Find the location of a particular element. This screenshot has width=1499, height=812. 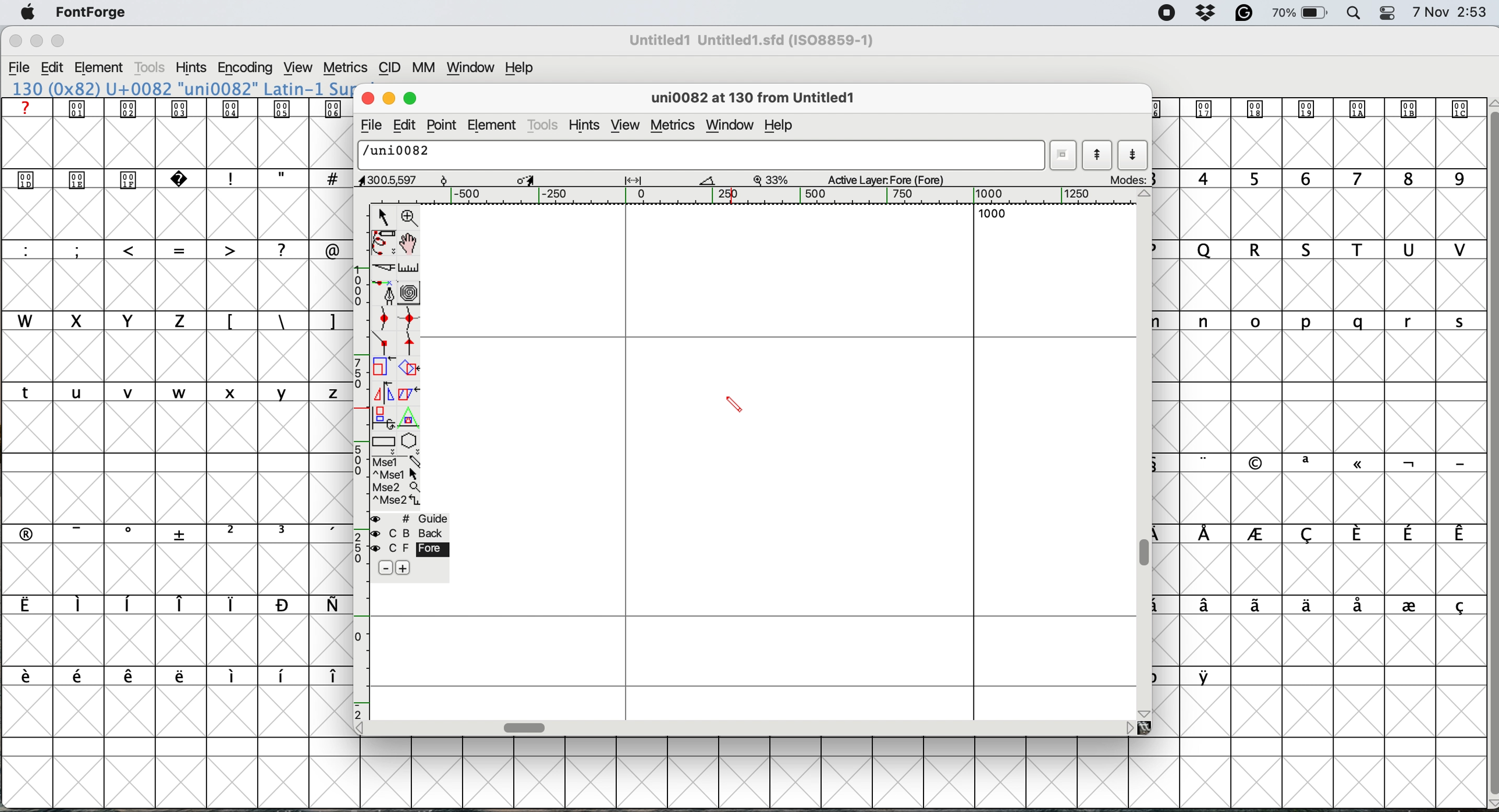

cid is located at coordinates (391, 69).